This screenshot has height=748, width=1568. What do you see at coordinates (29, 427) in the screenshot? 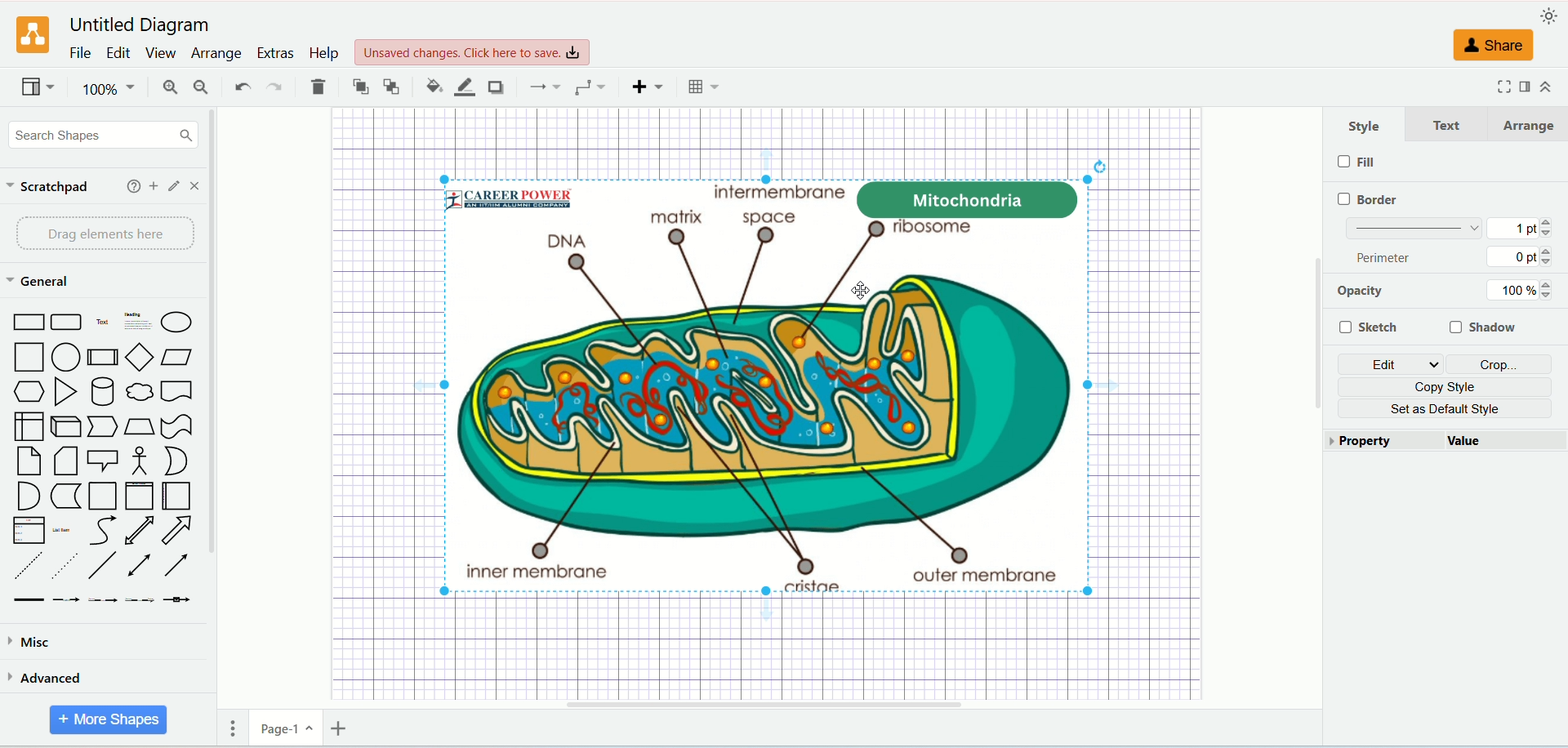
I see `Internal Document` at bounding box center [29, 427].